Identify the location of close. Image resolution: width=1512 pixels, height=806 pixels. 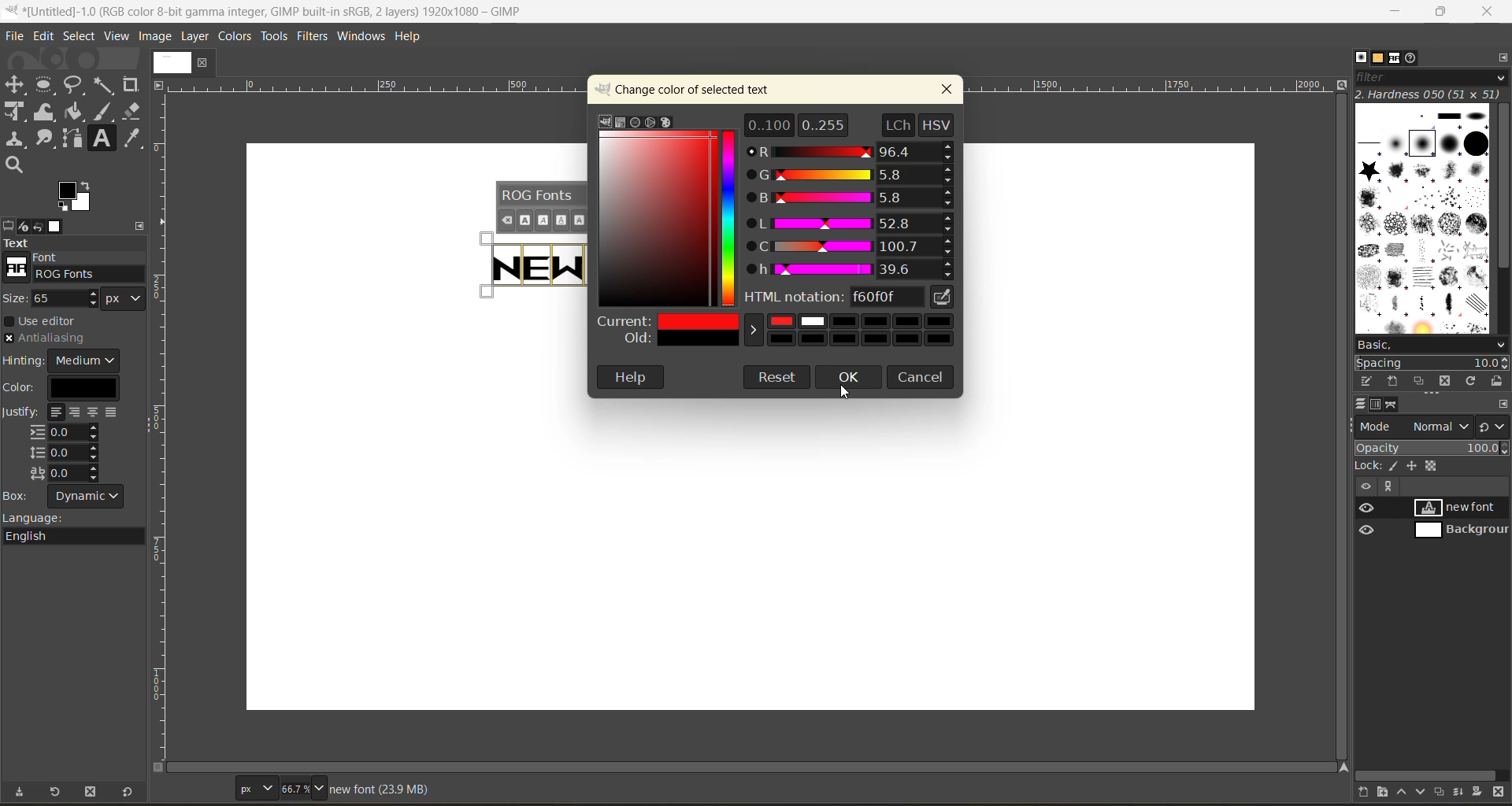
(947, 91).